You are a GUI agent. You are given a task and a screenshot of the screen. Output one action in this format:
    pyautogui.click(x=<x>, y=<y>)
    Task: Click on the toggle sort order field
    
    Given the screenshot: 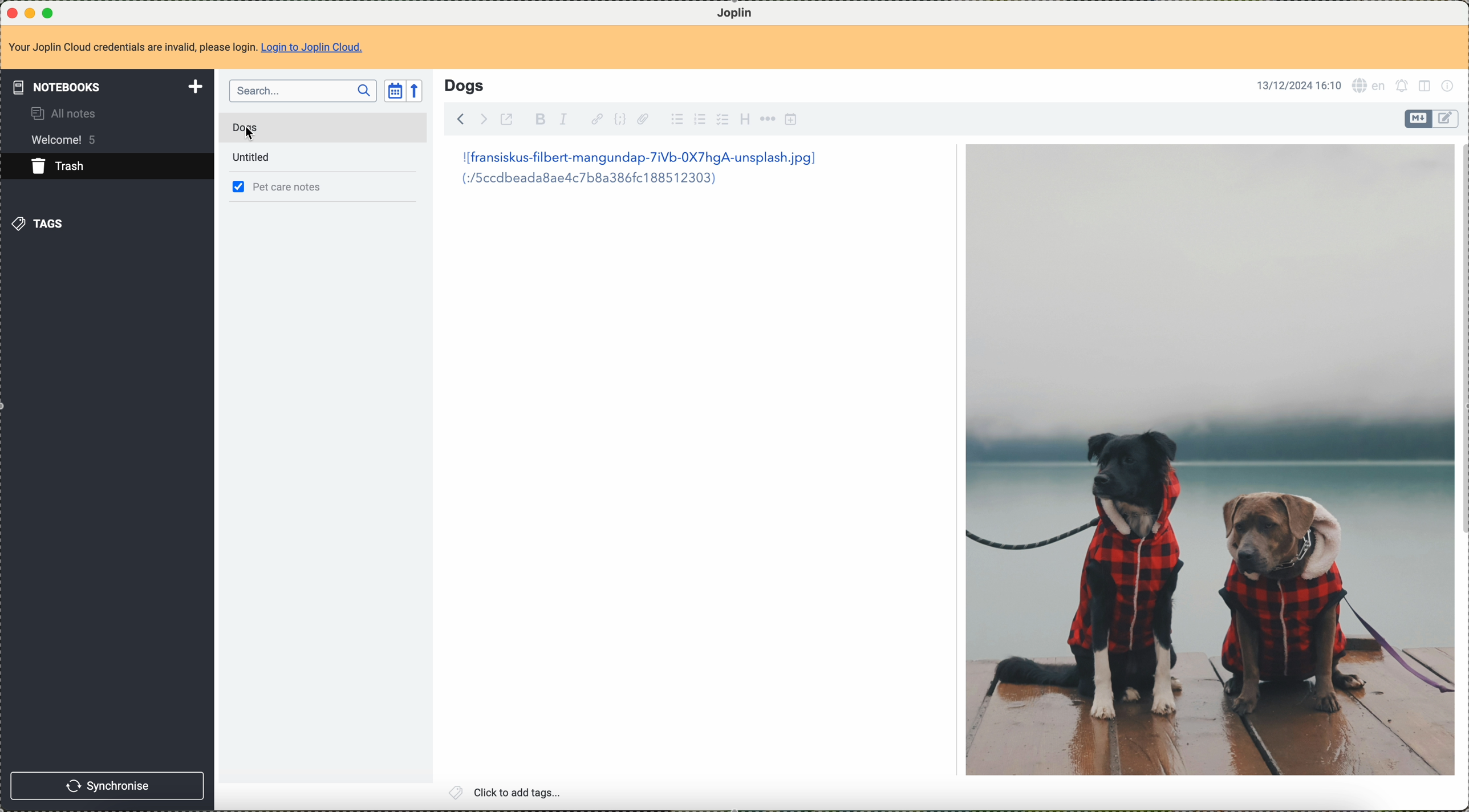 What is the action you would take?
    pyautogui.click(x=392, y=92)
    